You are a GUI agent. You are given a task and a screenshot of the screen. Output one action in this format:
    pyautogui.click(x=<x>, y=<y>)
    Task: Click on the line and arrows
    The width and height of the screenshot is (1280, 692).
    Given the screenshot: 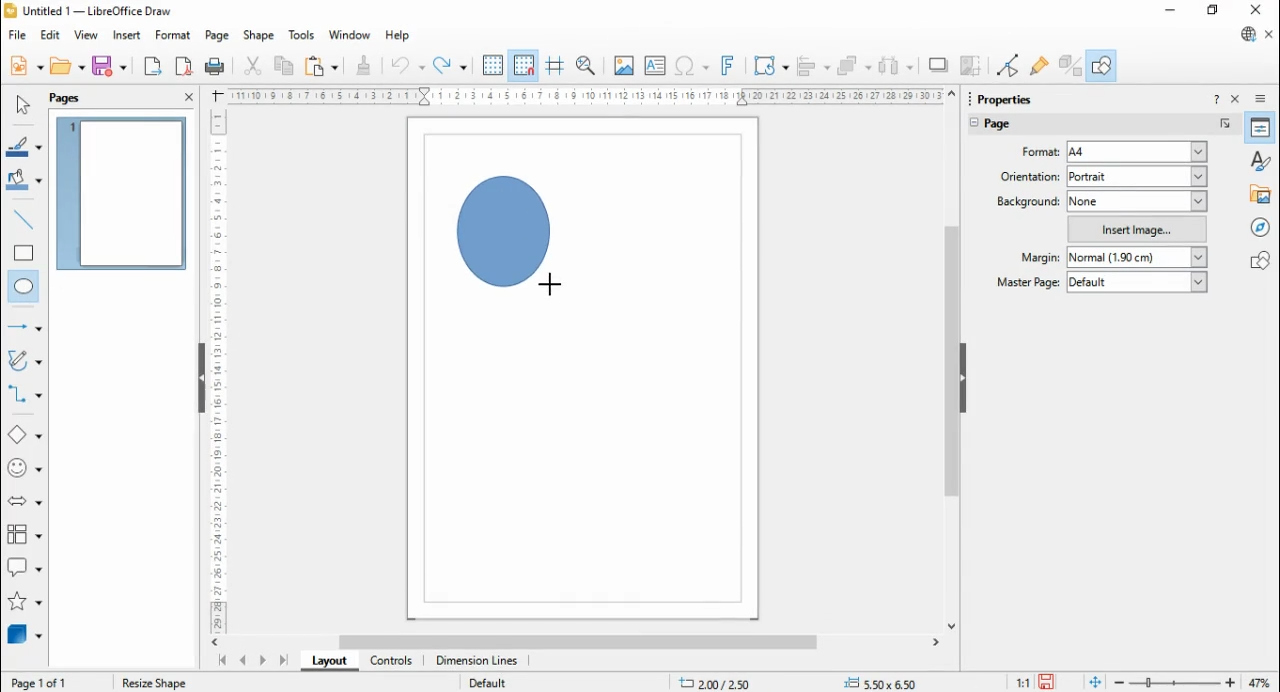 What is the action you would take?
    pyautogui.click(x=25, y=327)
    